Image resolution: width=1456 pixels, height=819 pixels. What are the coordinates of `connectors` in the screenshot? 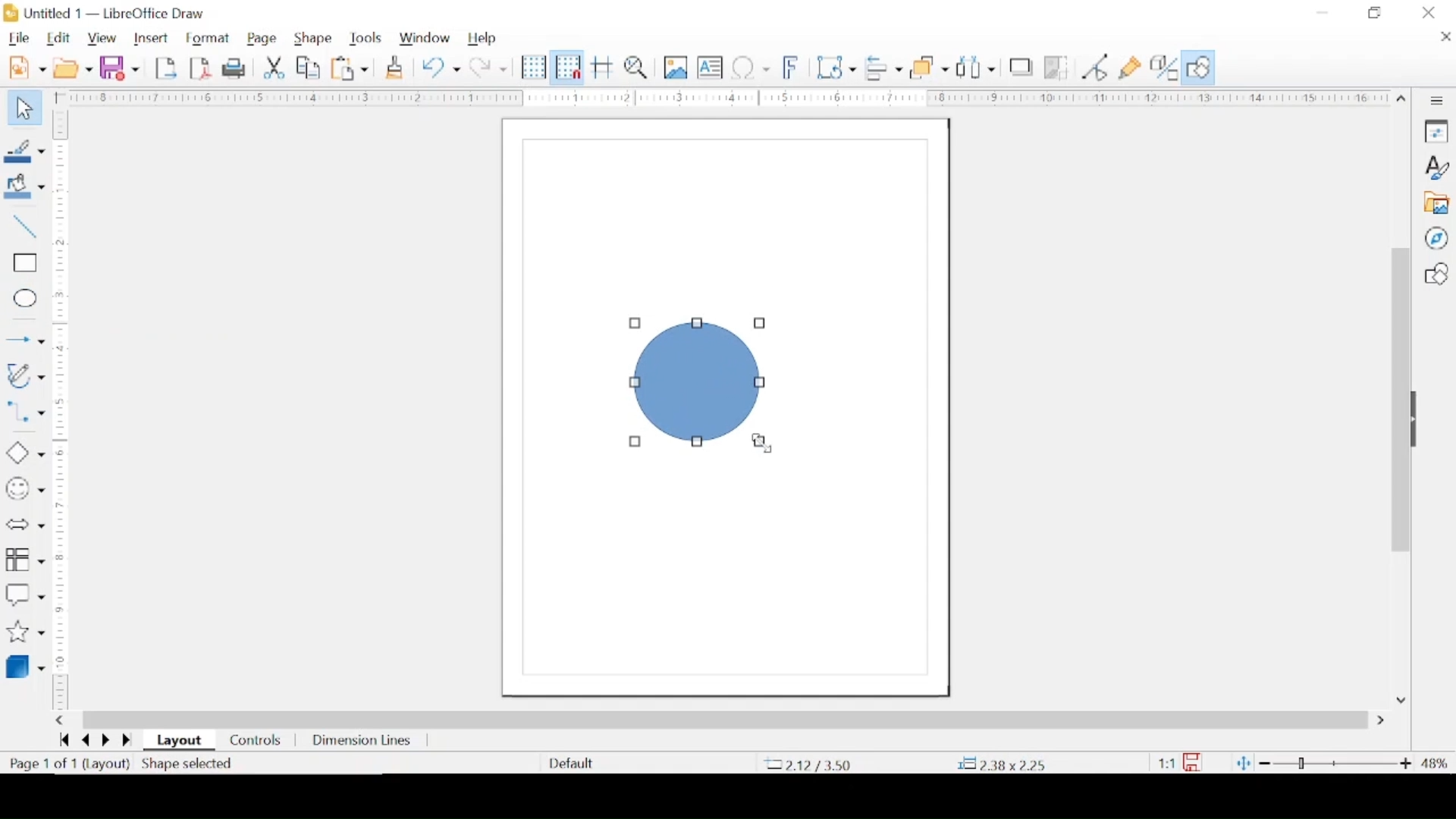 It's located at (25, 416).